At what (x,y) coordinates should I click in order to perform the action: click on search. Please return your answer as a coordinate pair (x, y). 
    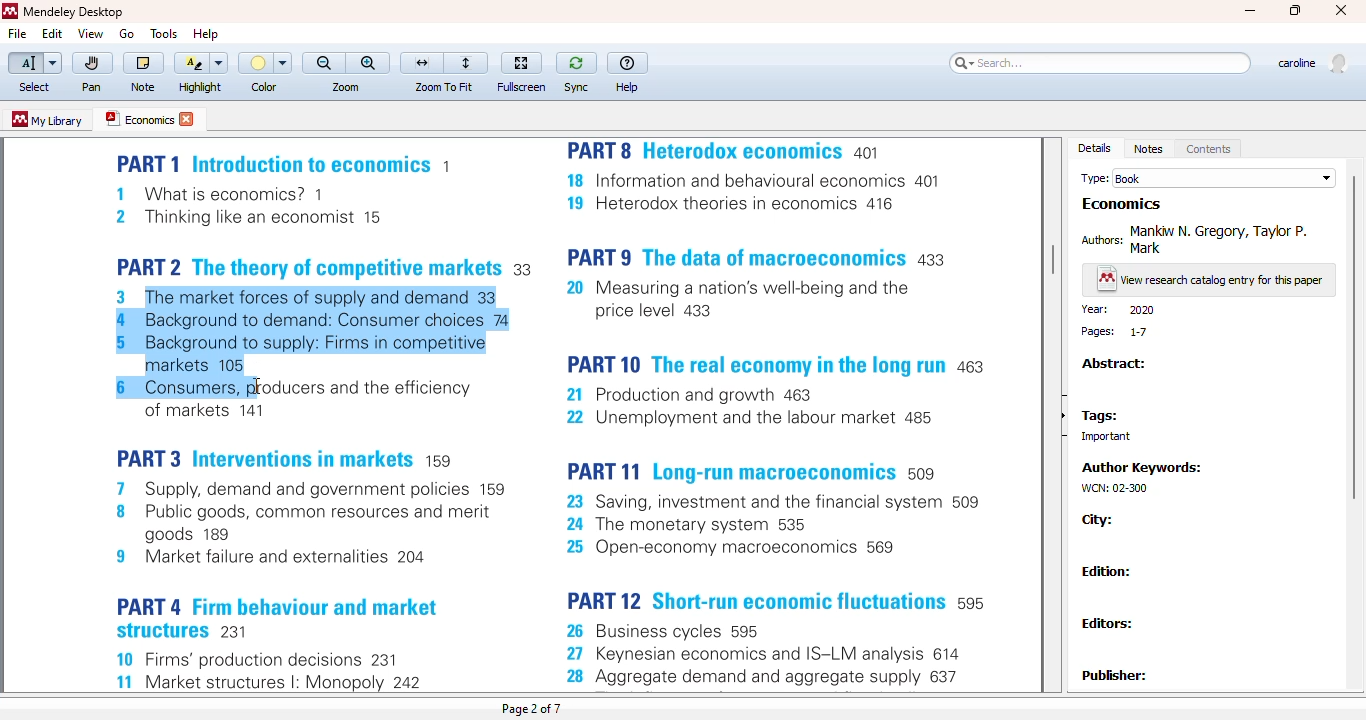
    Looking at the image, I should click on (1100, 63).